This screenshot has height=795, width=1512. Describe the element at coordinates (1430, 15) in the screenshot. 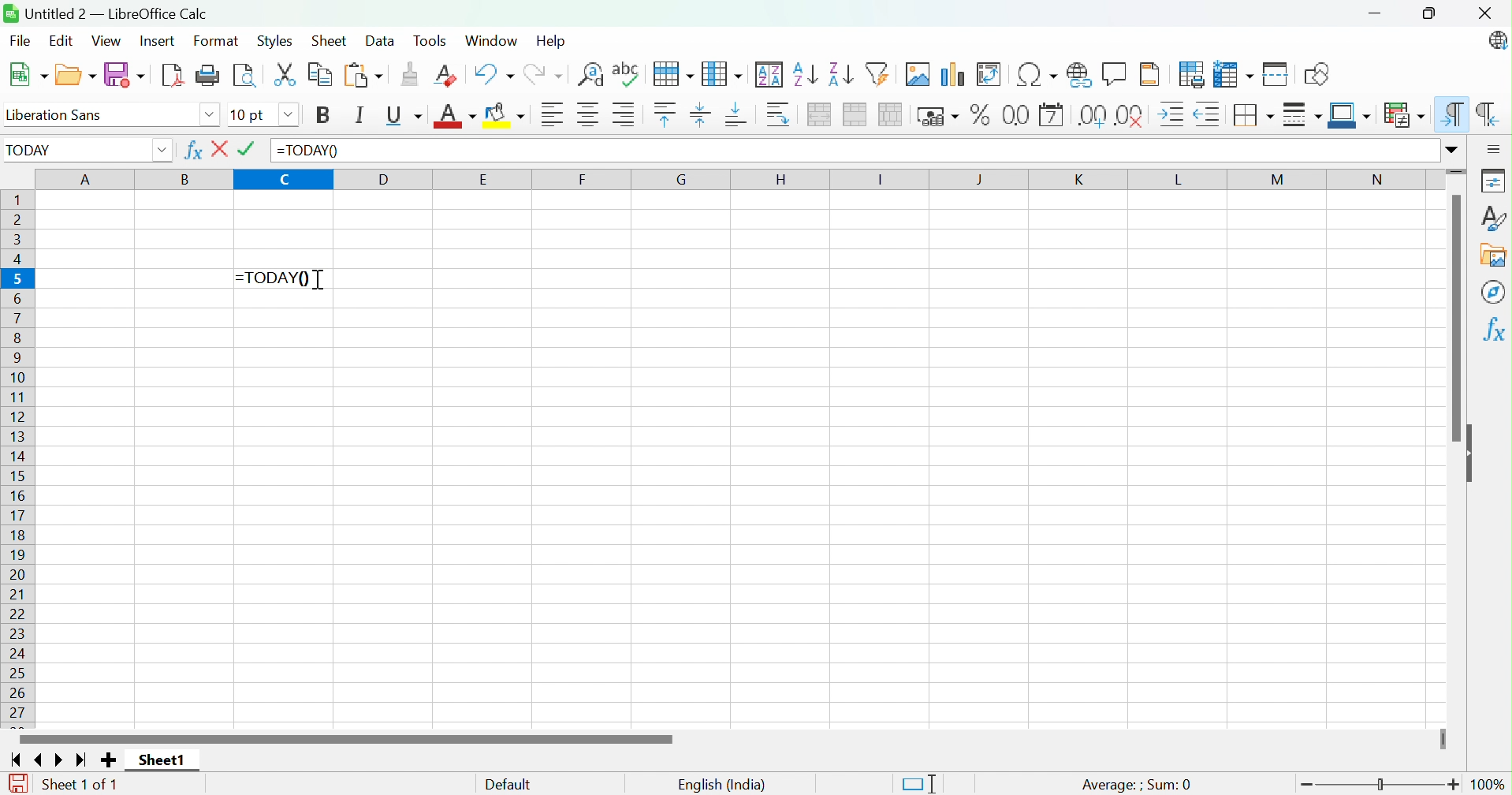

I see `Restore down` at that location.